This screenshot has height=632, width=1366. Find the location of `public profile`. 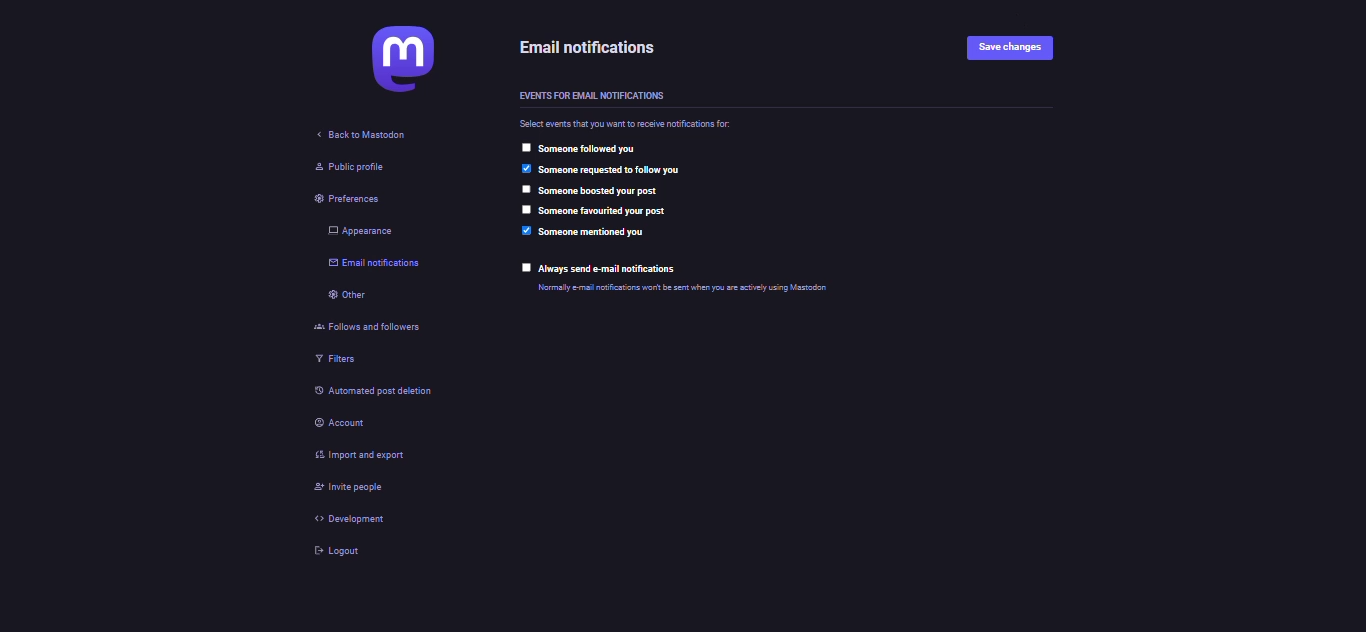

public profile is located at coordinates (346, 168).